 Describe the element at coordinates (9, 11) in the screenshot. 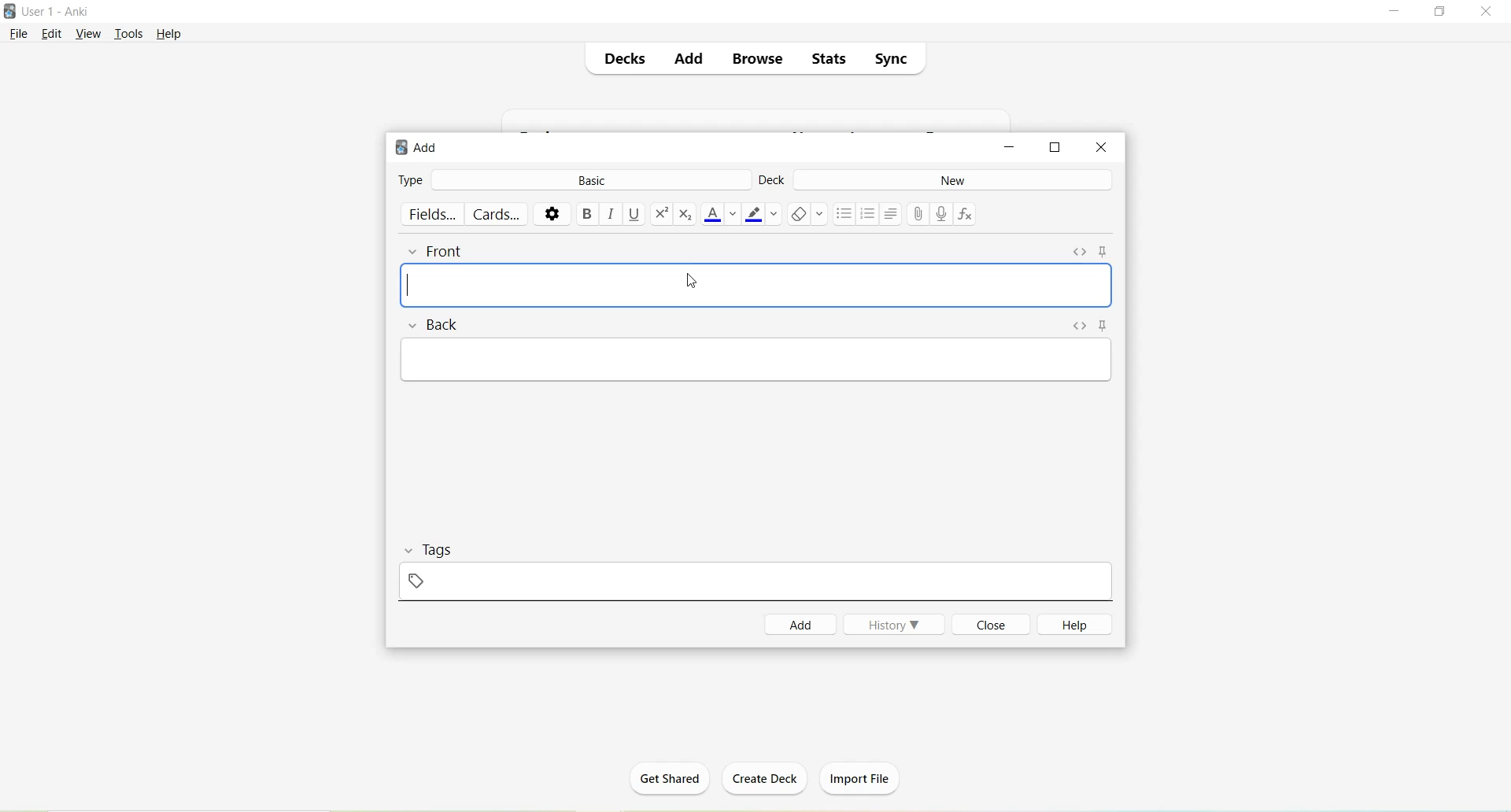

I see `Logo` at that location.